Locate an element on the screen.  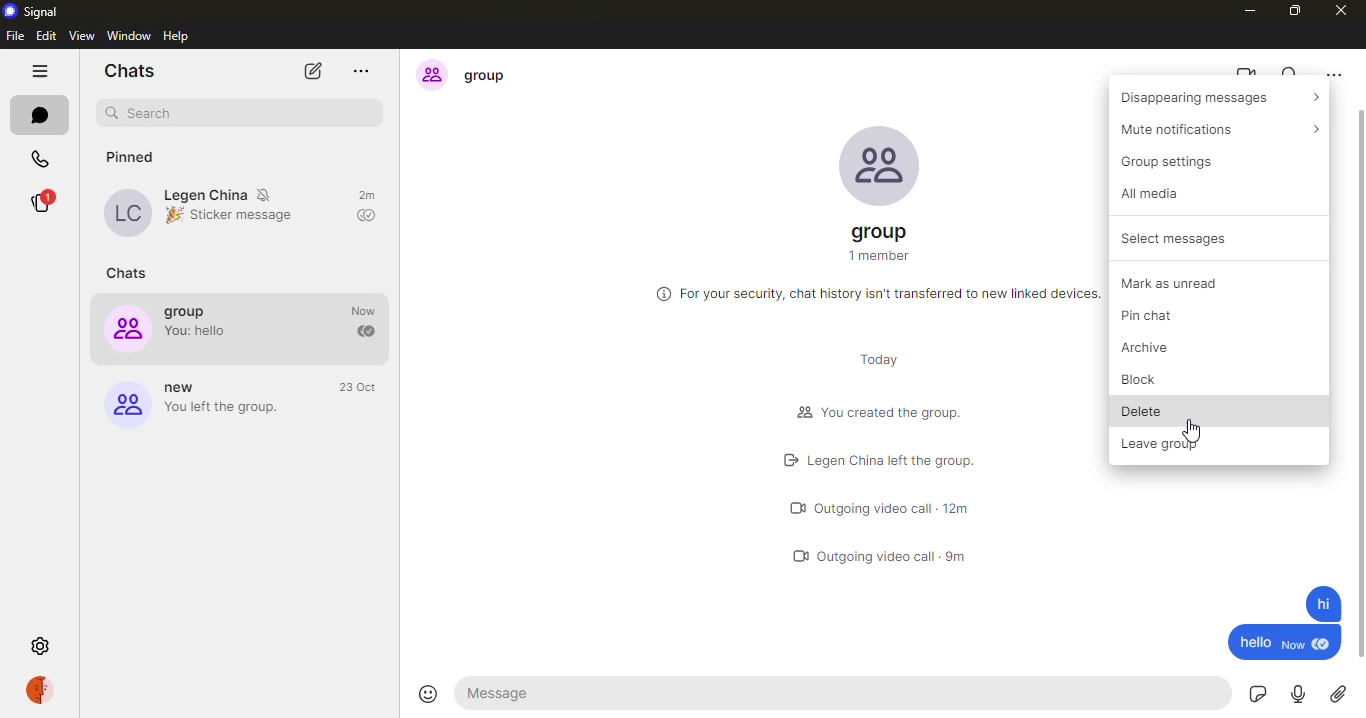
chats is located at coordinates (128, 72).